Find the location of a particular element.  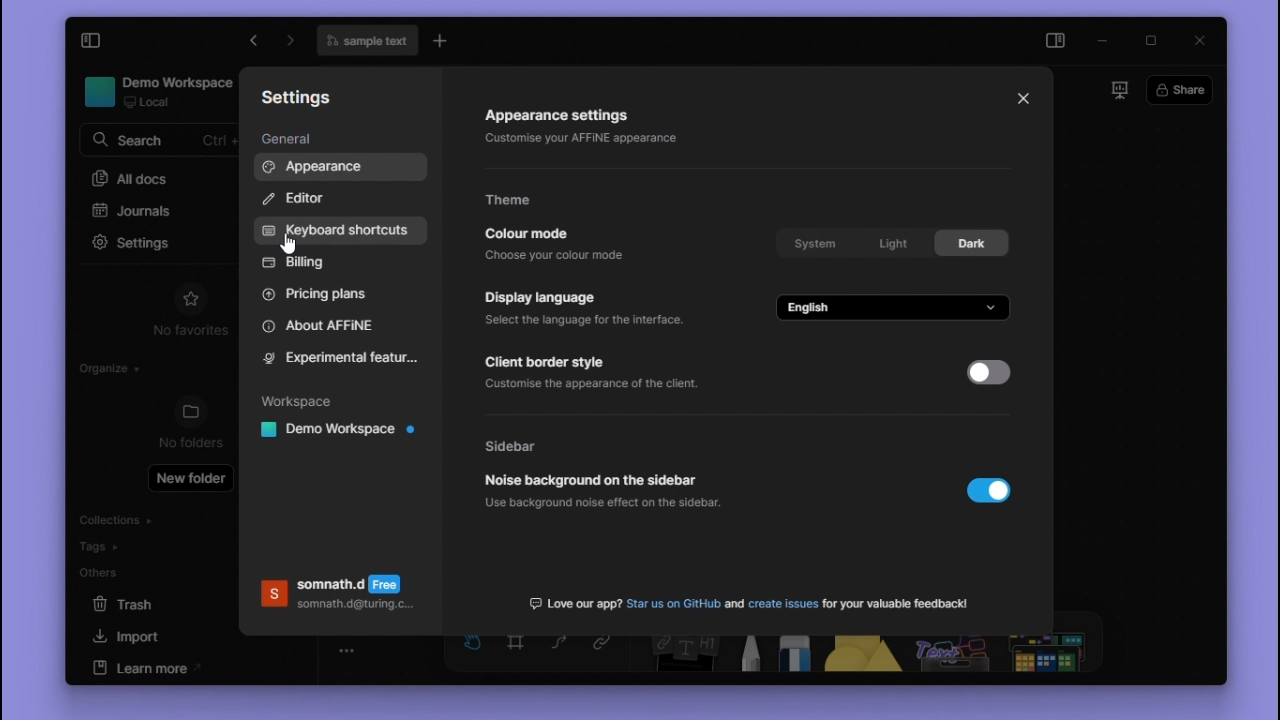

Account is located at coordinates (339, 598).